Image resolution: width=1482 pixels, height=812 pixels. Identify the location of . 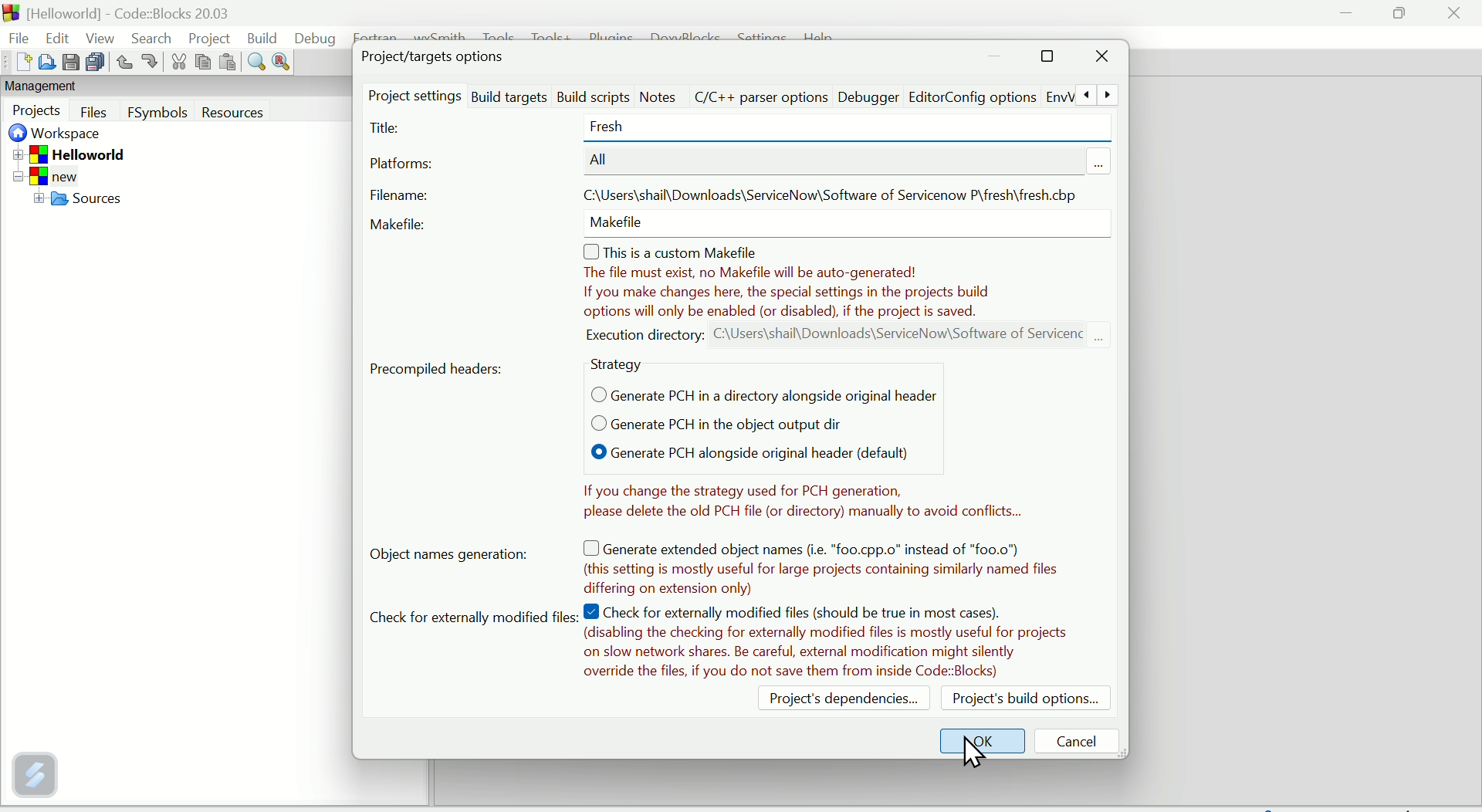
(123, 62).